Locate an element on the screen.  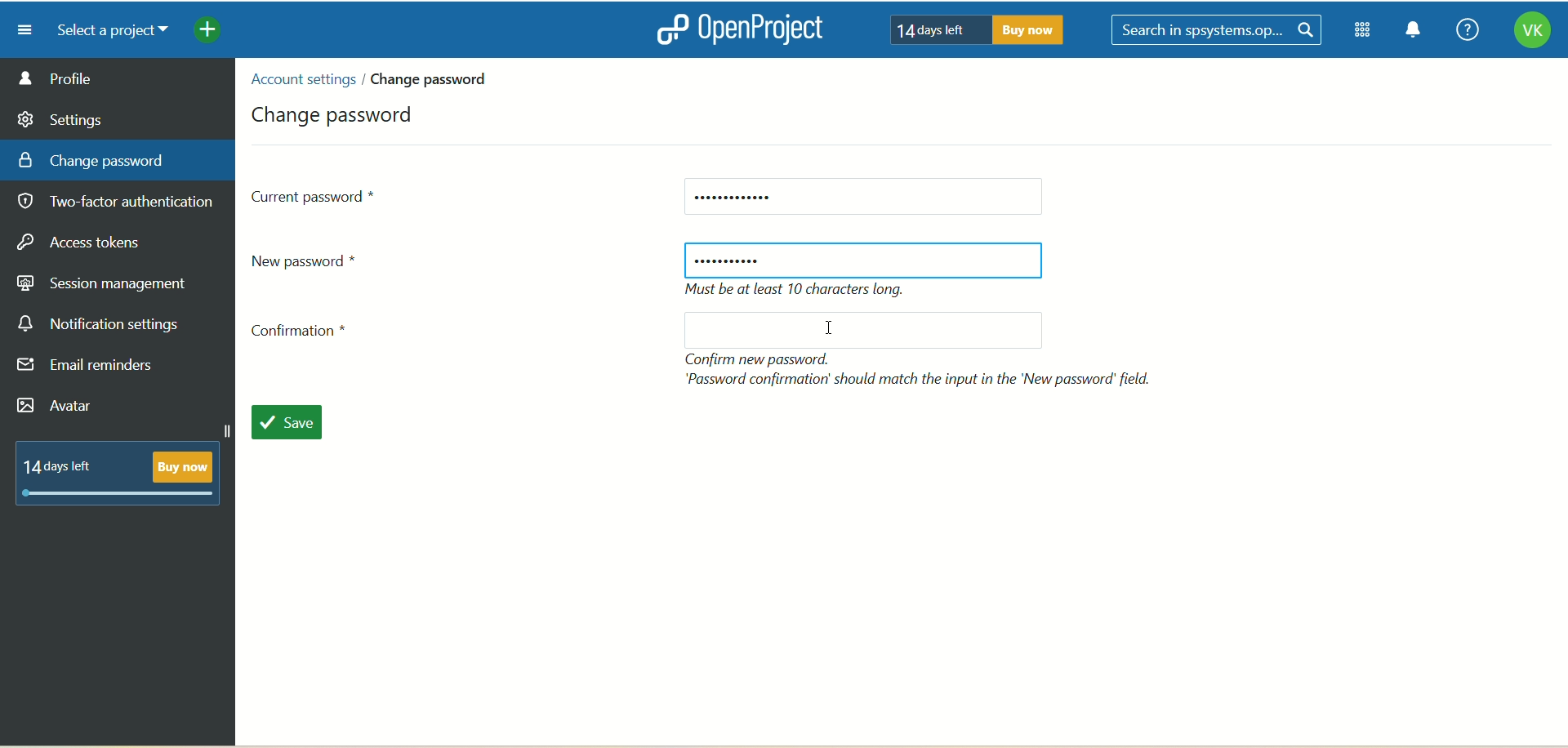
text is located at coordinates (125, 470).